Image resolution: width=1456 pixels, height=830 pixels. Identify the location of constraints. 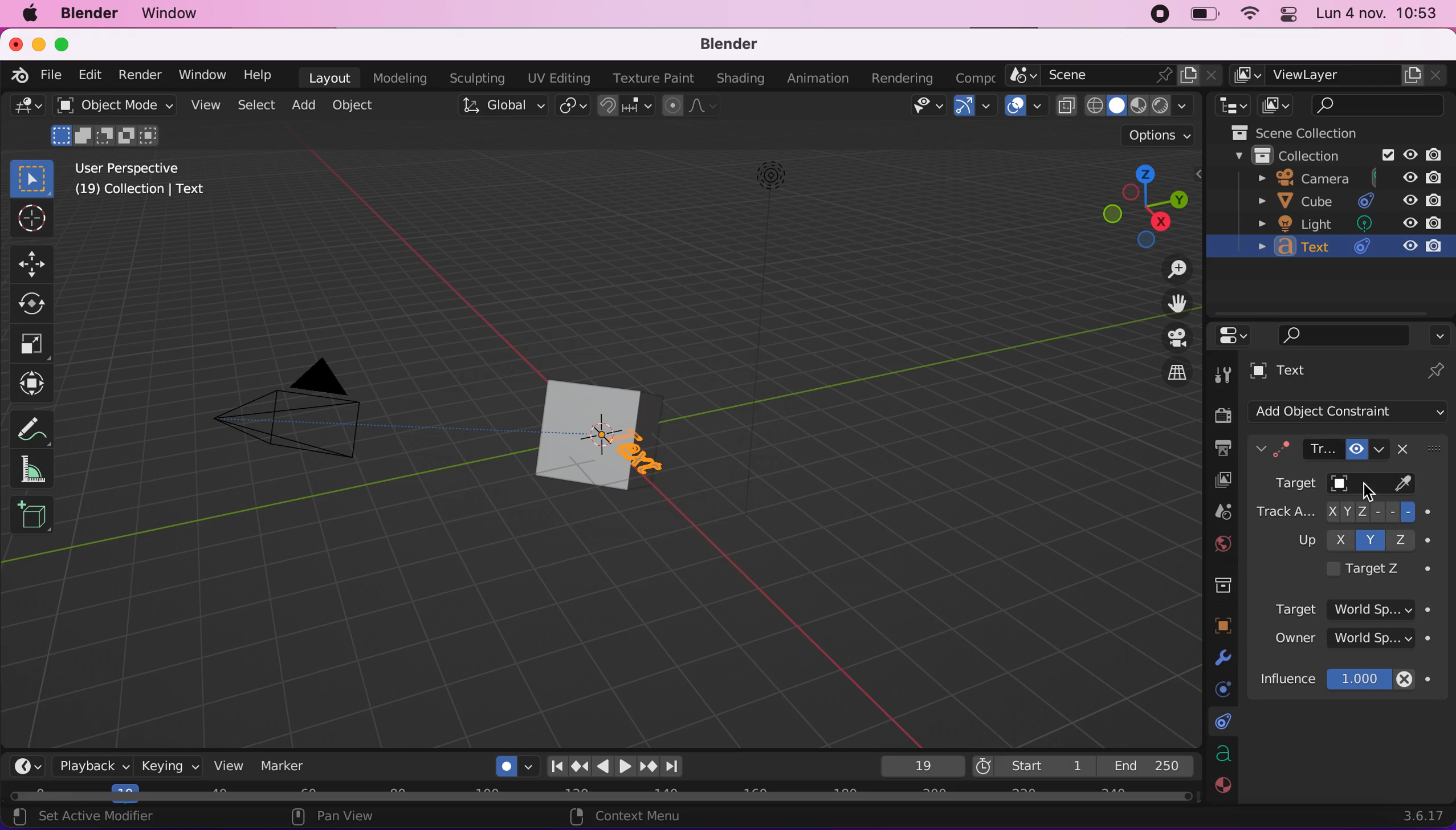
(1220, 723).